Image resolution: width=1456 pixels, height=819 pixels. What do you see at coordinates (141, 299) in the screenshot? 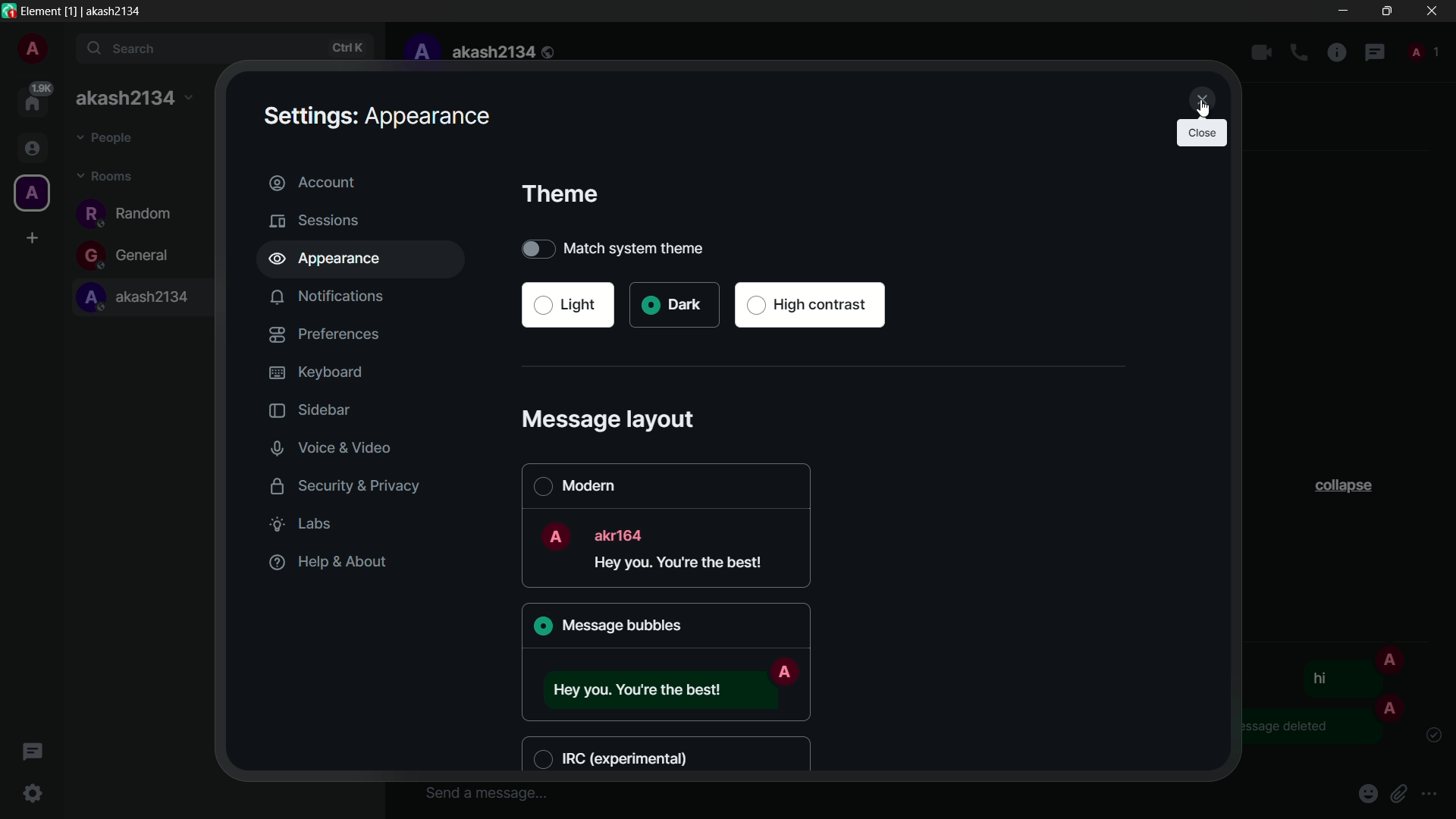
I see `akash2134` at bounding box center [141, 299].